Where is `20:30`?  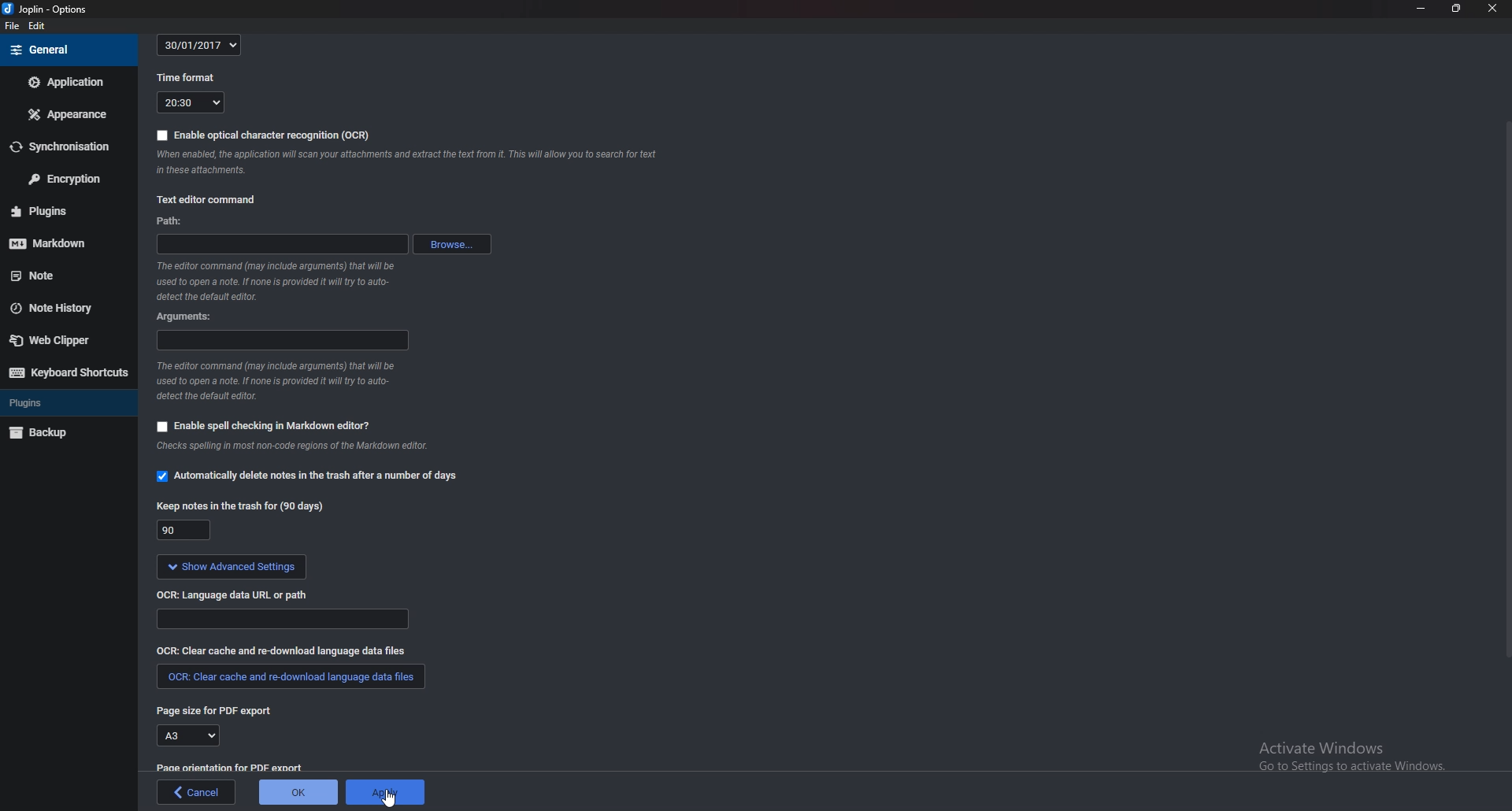 20:30 is located at coordinates (190, 104).